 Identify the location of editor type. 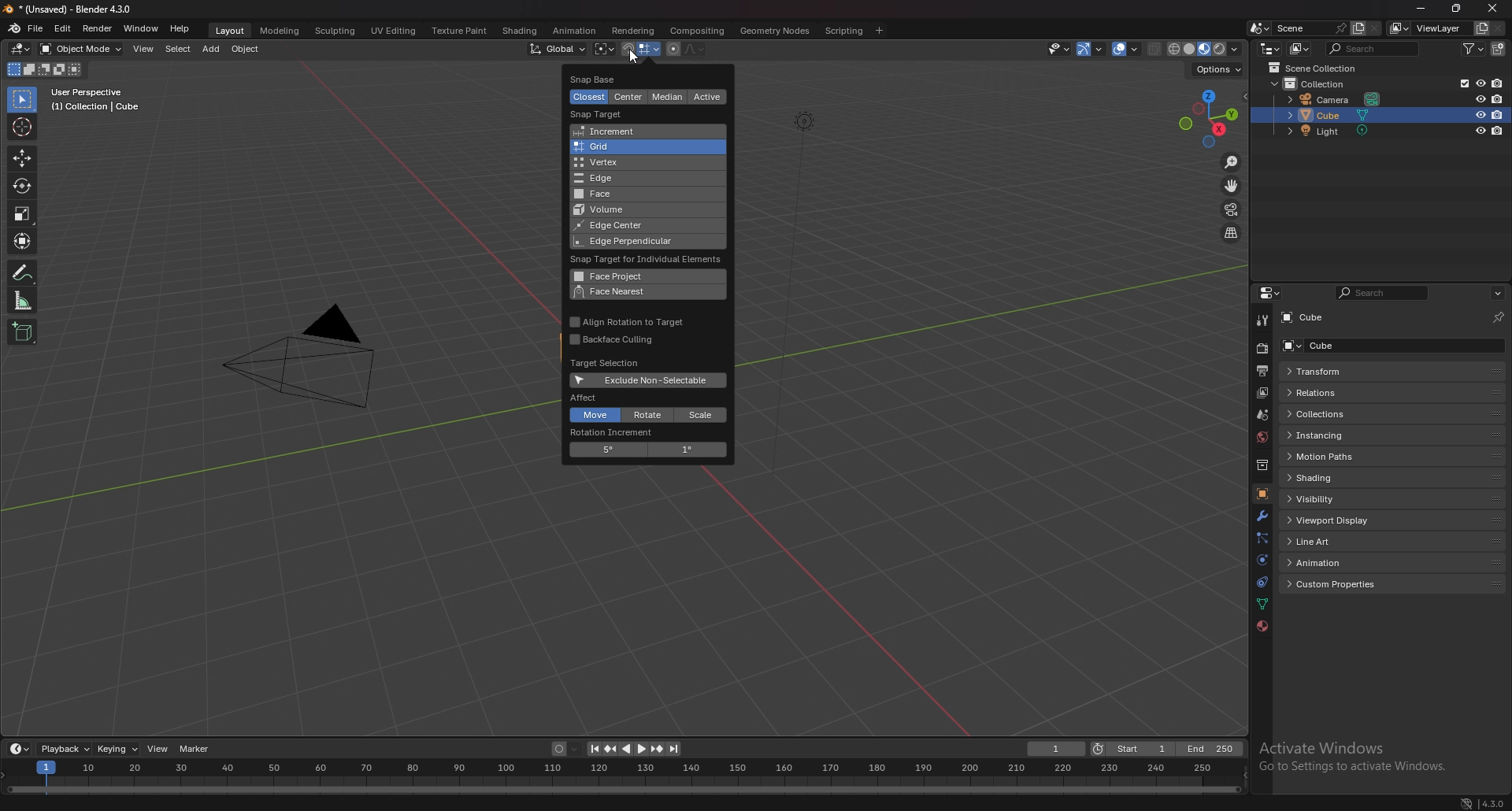
(1269, 47).